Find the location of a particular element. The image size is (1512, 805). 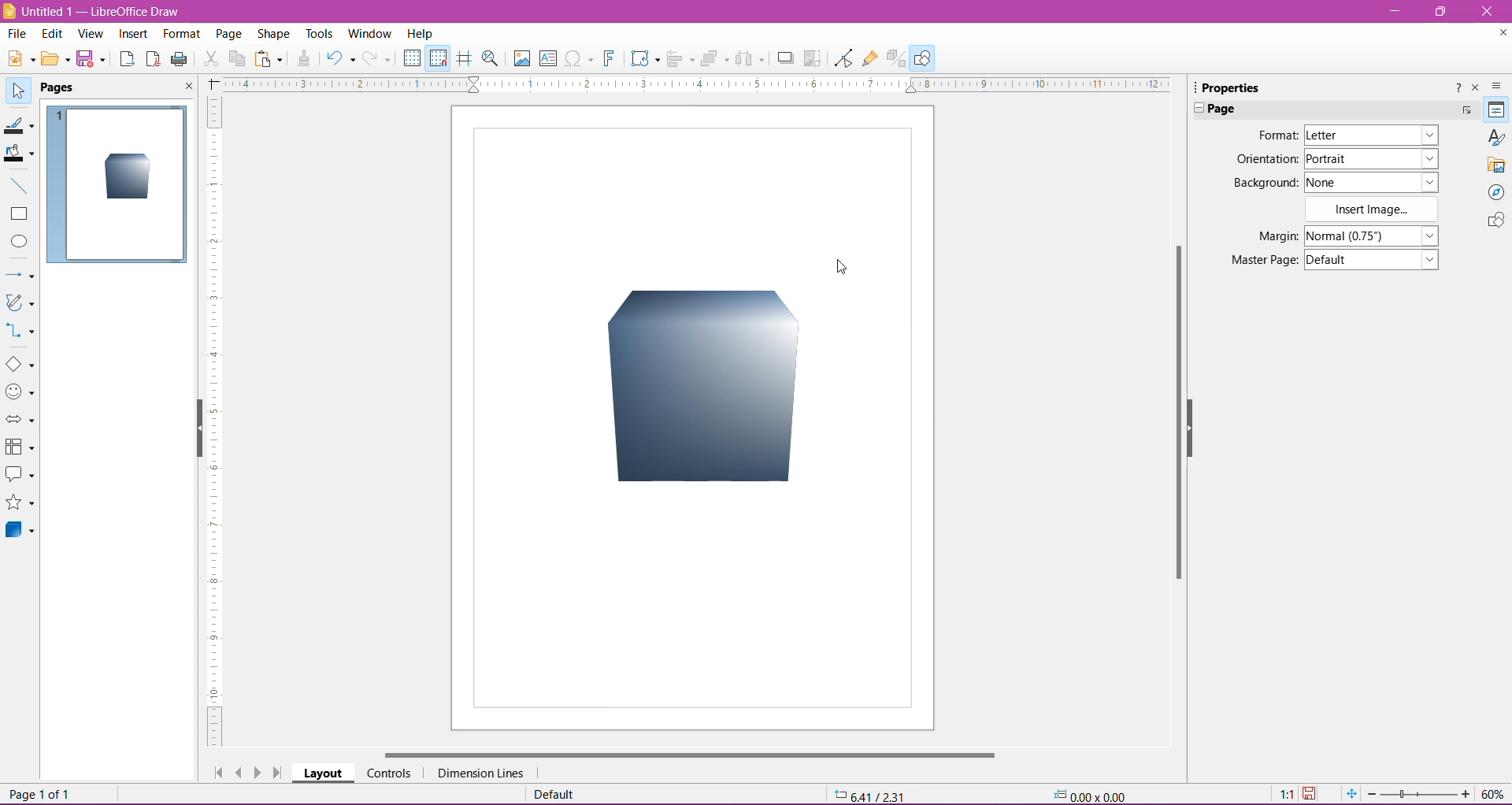

Shapes is located at coordinates (1495, 221).